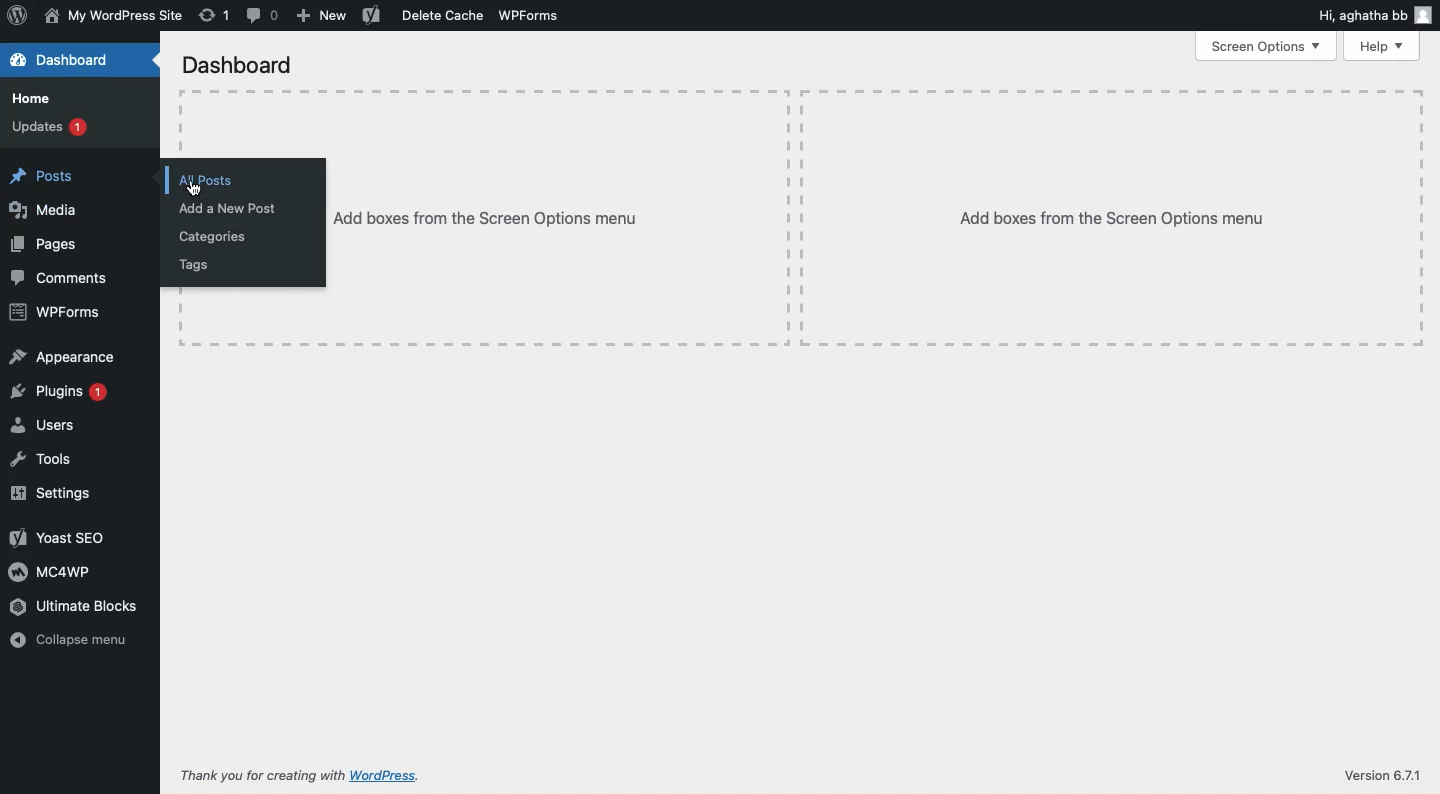 The image size is (1440, 794). I want to click on Revision, so click(215, 17).